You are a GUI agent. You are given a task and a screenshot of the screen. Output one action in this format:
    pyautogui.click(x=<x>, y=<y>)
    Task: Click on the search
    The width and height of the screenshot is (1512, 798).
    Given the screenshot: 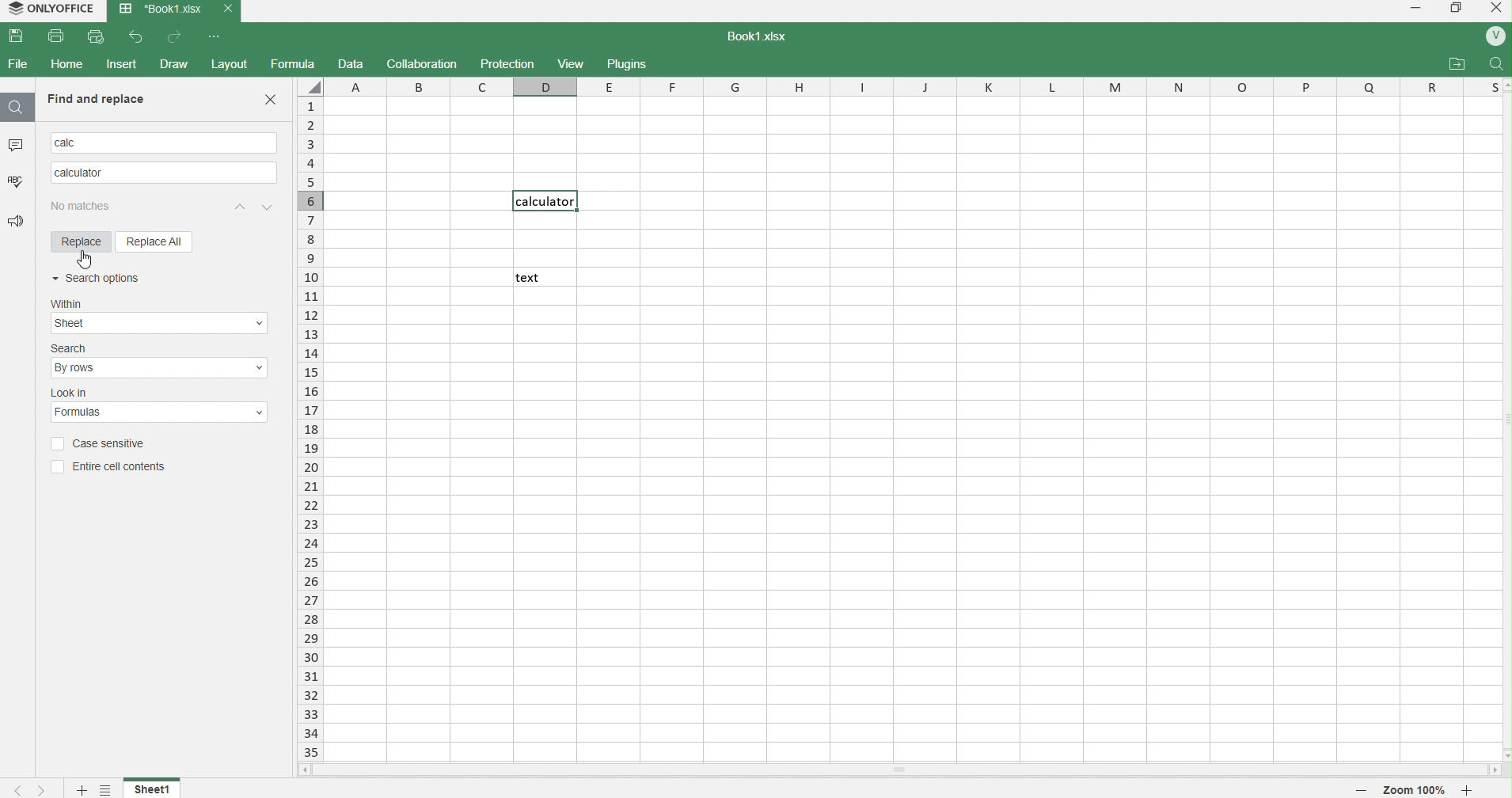 What is the action you would take?
    pyautogui.click(x=17, y=108)
    